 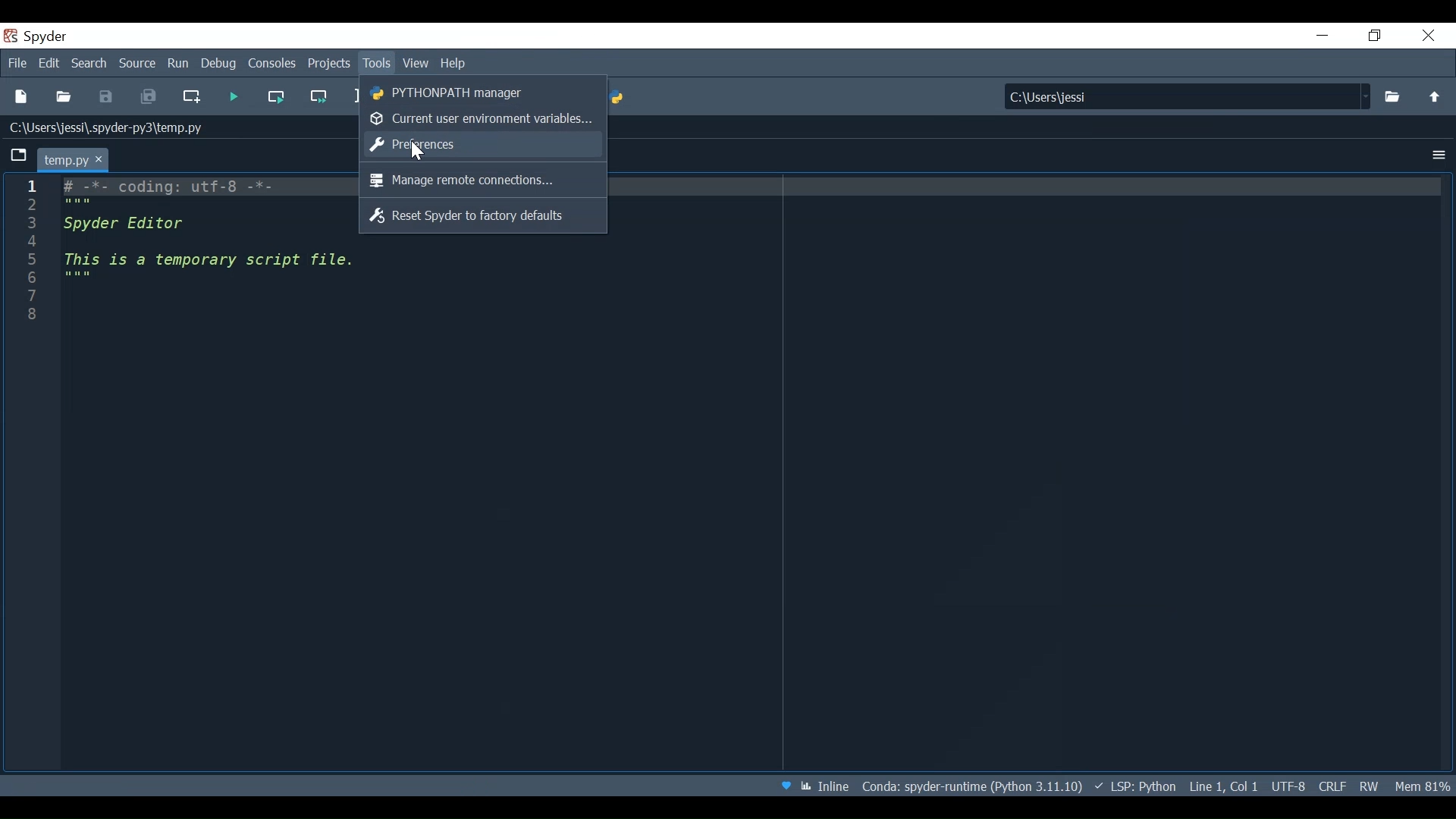 What do you see at coordinates (483, 120) in the screenshot?
I see `Current user environment variables` at bounding box center [483, 120].